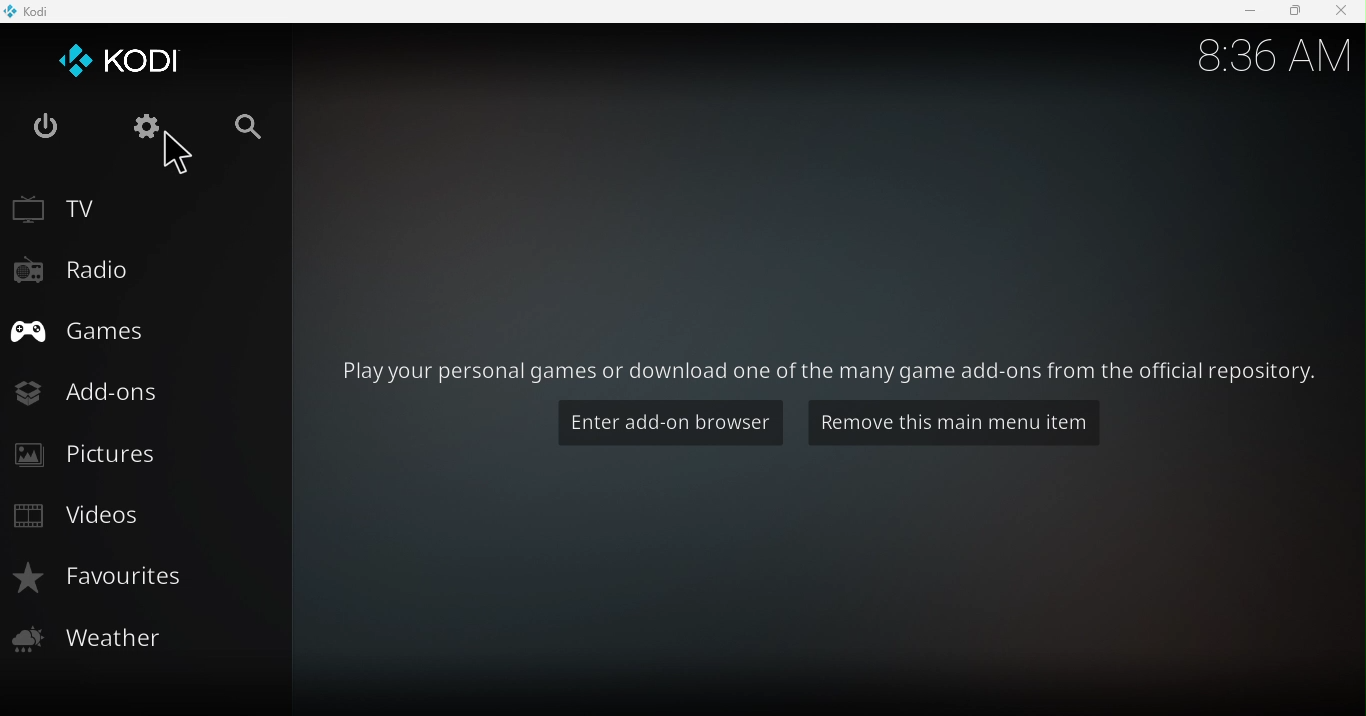 This screenshot has width=1366, height=716. Describe the element at coordinates (146, 579) in the screenshot. I see `Favourites` at that location.